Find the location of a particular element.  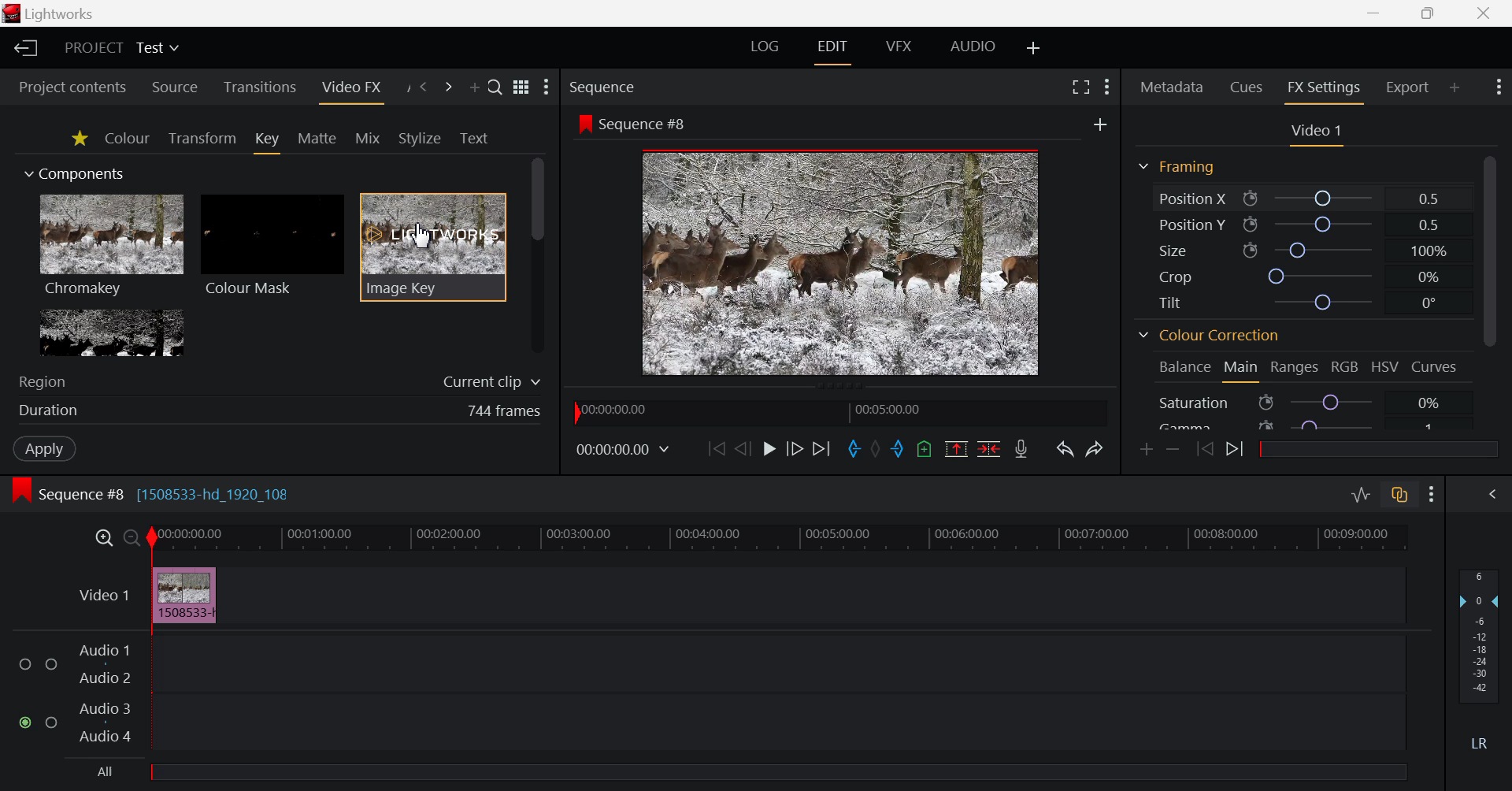

Next Panel is located at coordinates (448, 87).